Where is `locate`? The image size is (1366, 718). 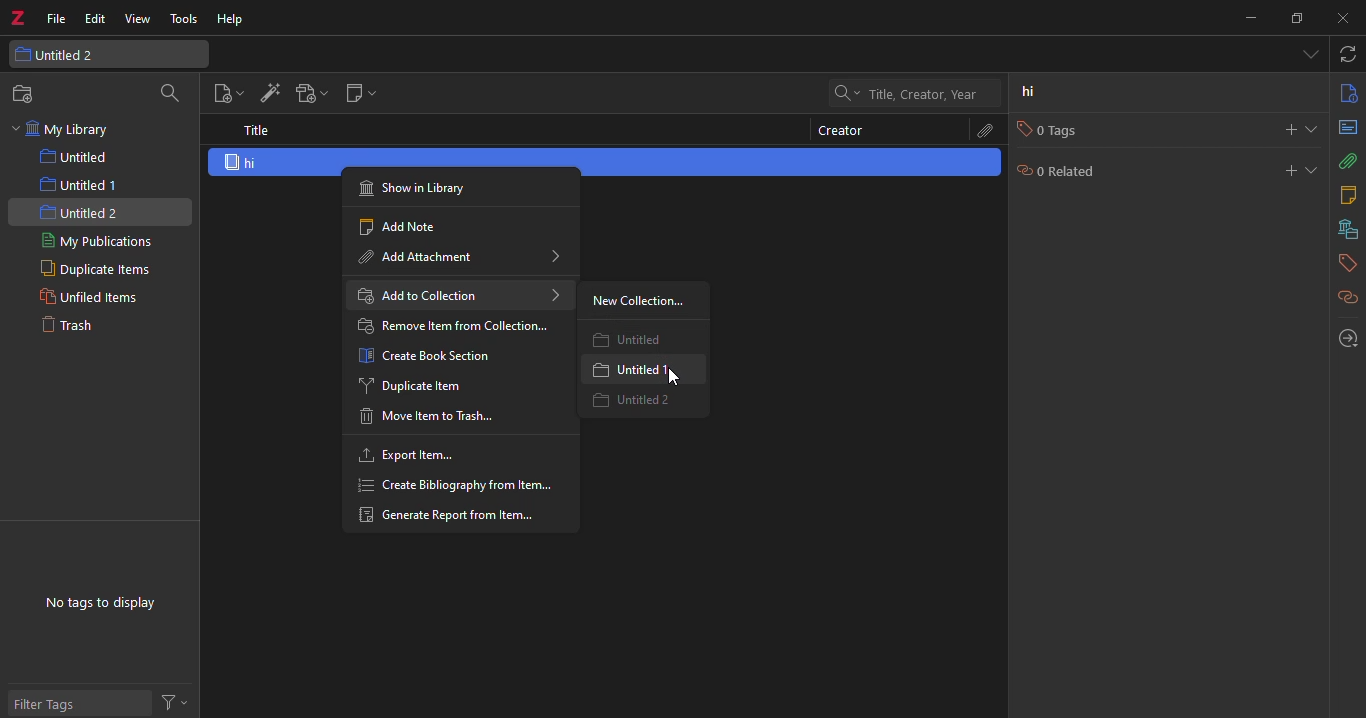 locate is located at coordinates (1341, 338).